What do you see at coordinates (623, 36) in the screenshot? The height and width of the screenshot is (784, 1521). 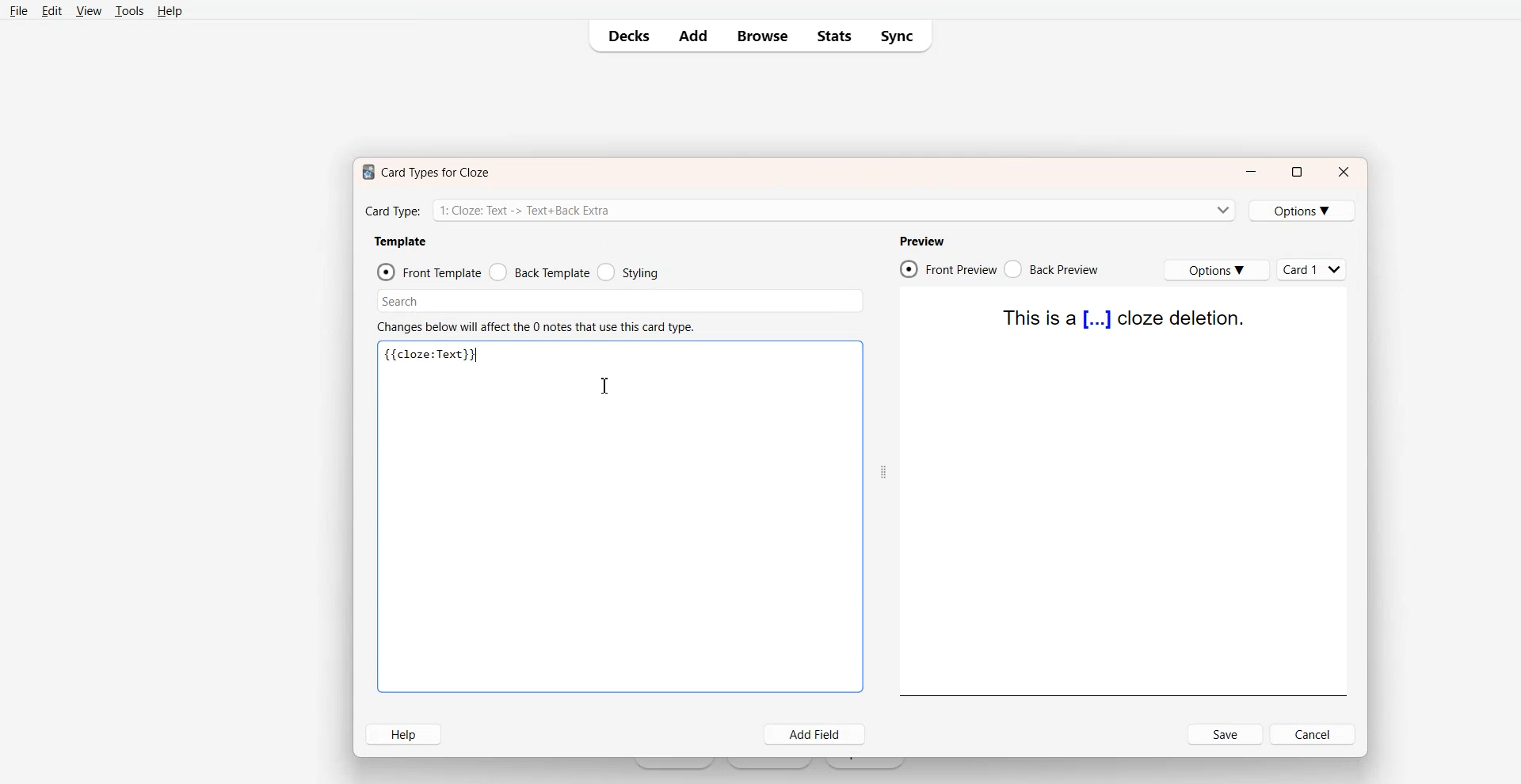 I see `Decks` at bounding box center [623, 36].